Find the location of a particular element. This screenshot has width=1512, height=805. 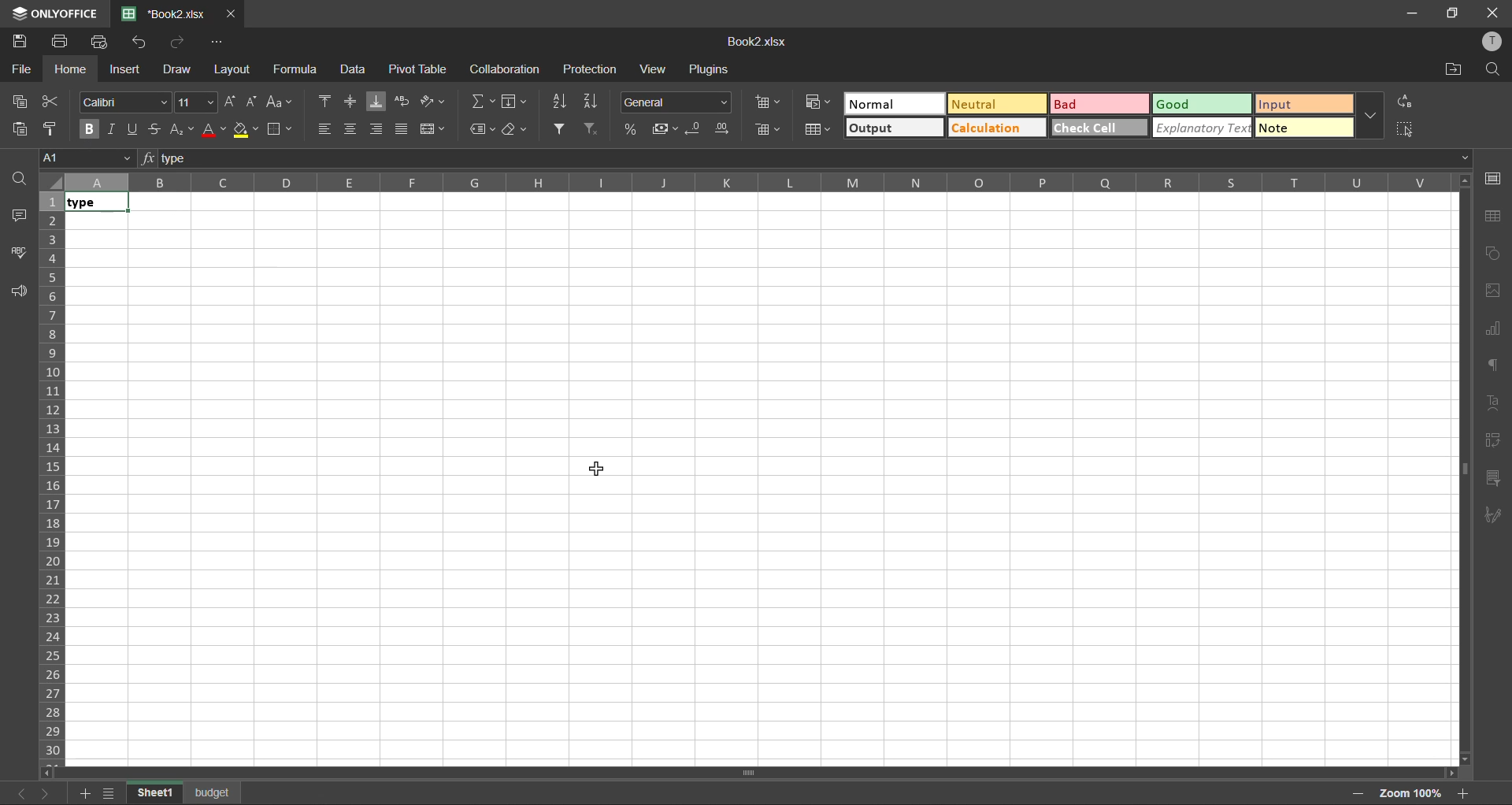

filter is located at coordinates (562, 128).